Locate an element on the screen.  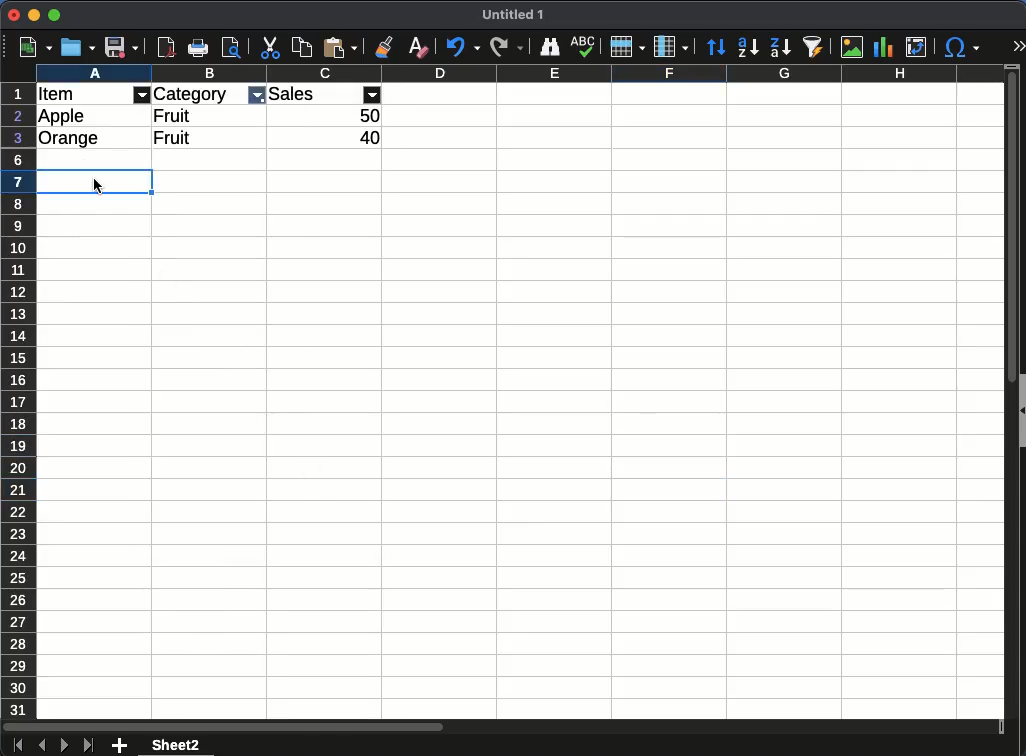
autofilter is located at coordinates (815, 48).